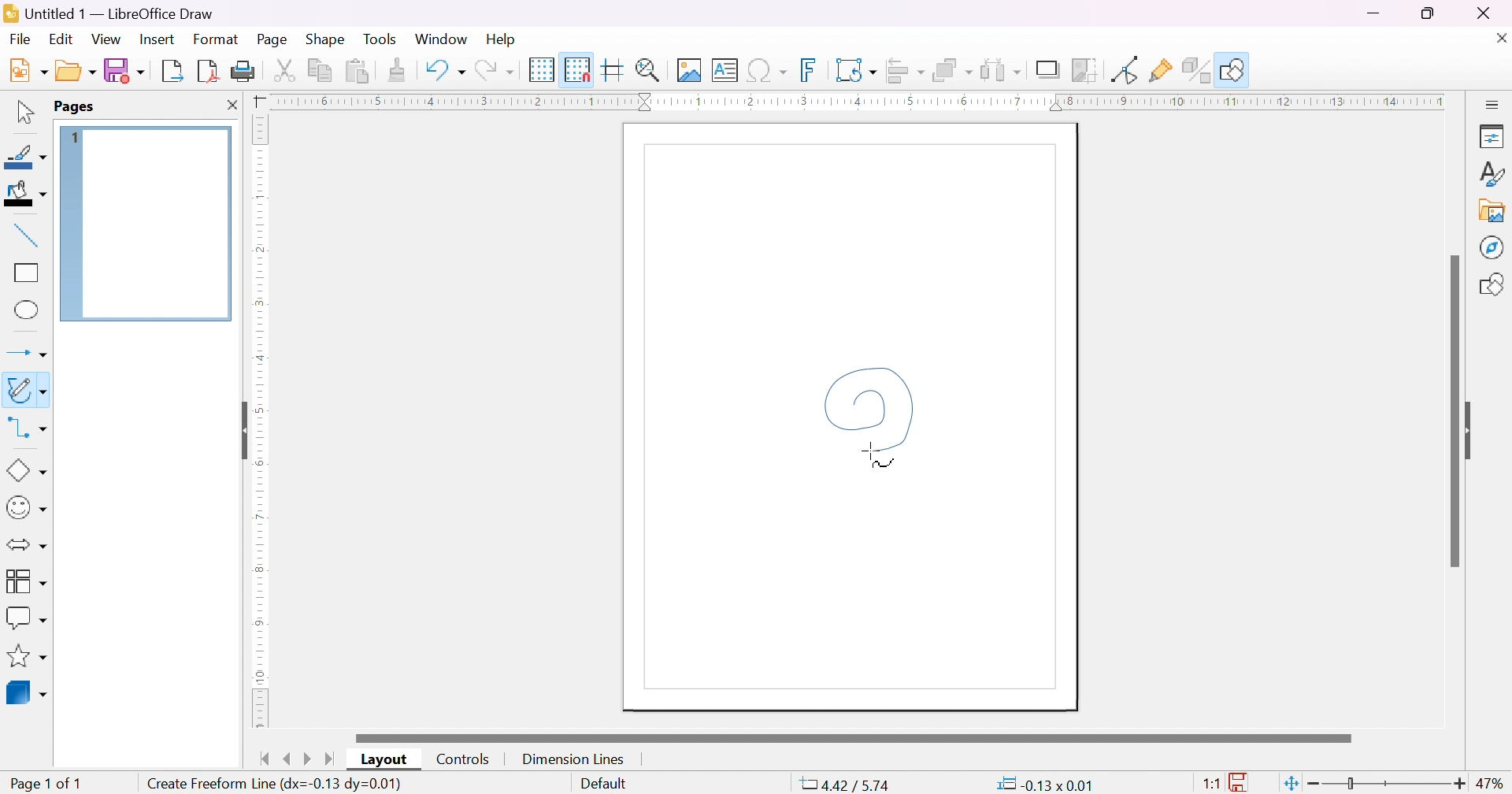  What do you see at coordinates (1241, 784) in the screenshot?
I see `the documents has not been modified since the last file.` at bounding box center [1241, 784].